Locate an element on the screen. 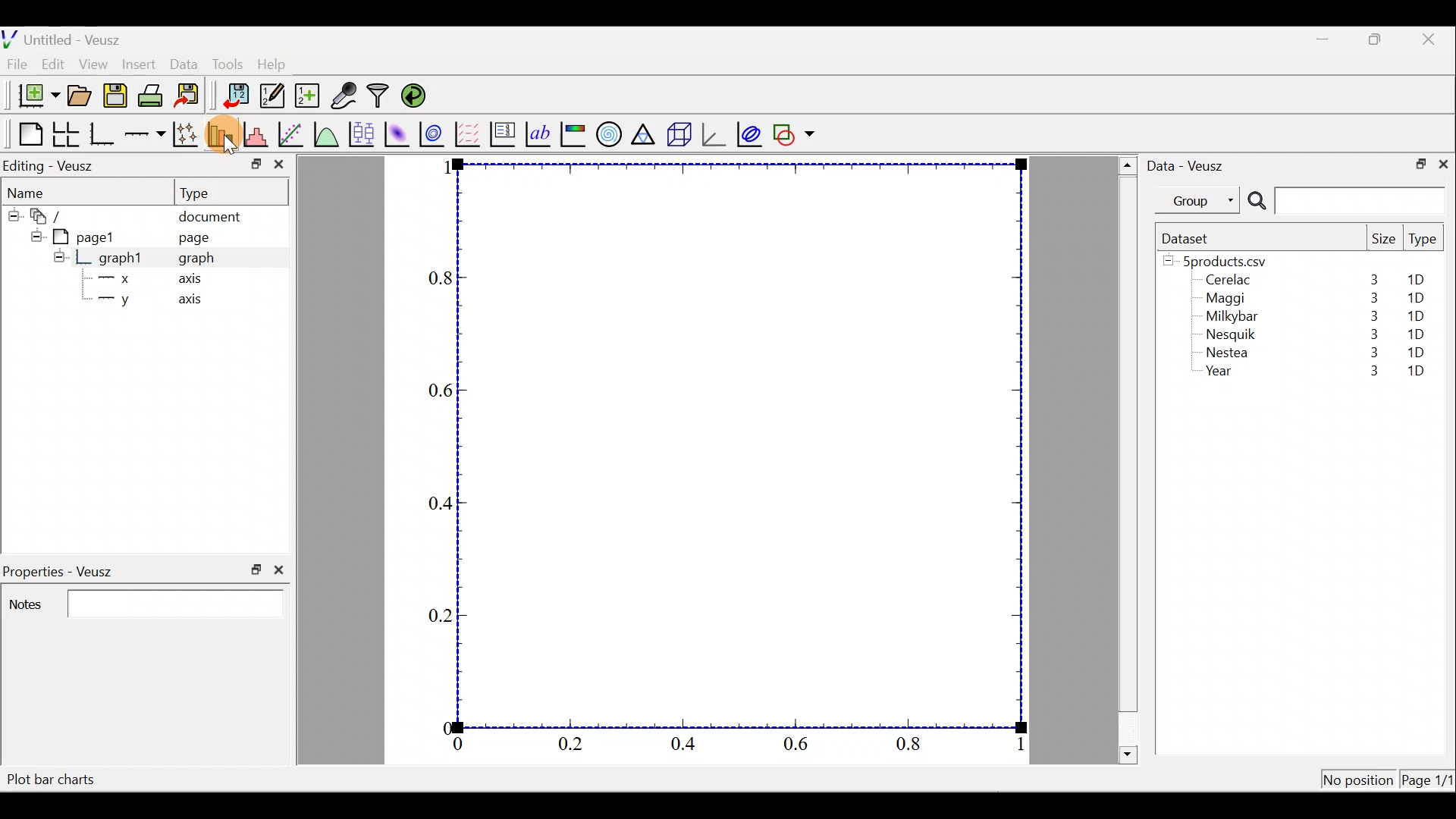 This screenshot has width=1456, height=819. restore down is located at coordinates (256, 570).